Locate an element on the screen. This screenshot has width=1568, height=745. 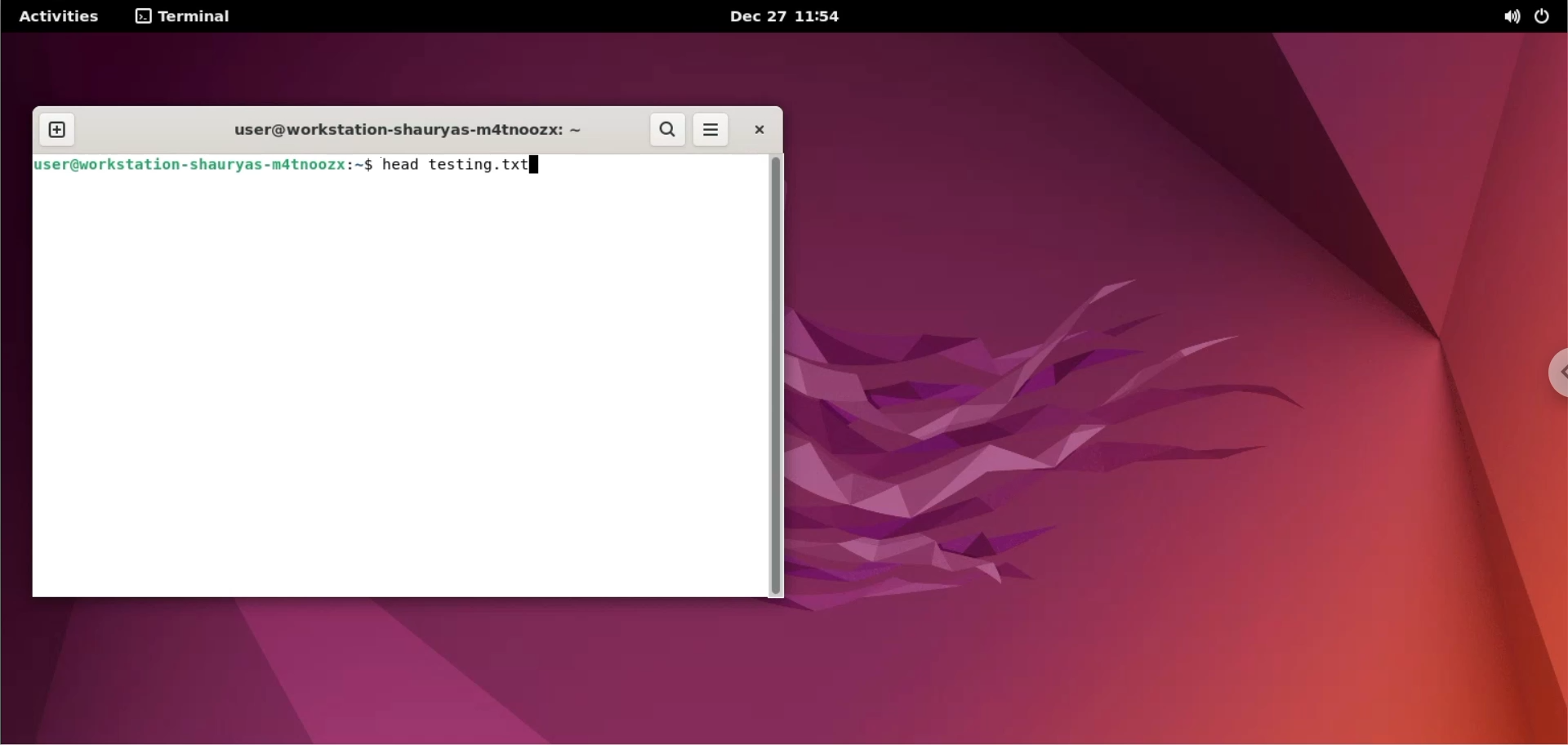
close is located at coordinates (760, 129).